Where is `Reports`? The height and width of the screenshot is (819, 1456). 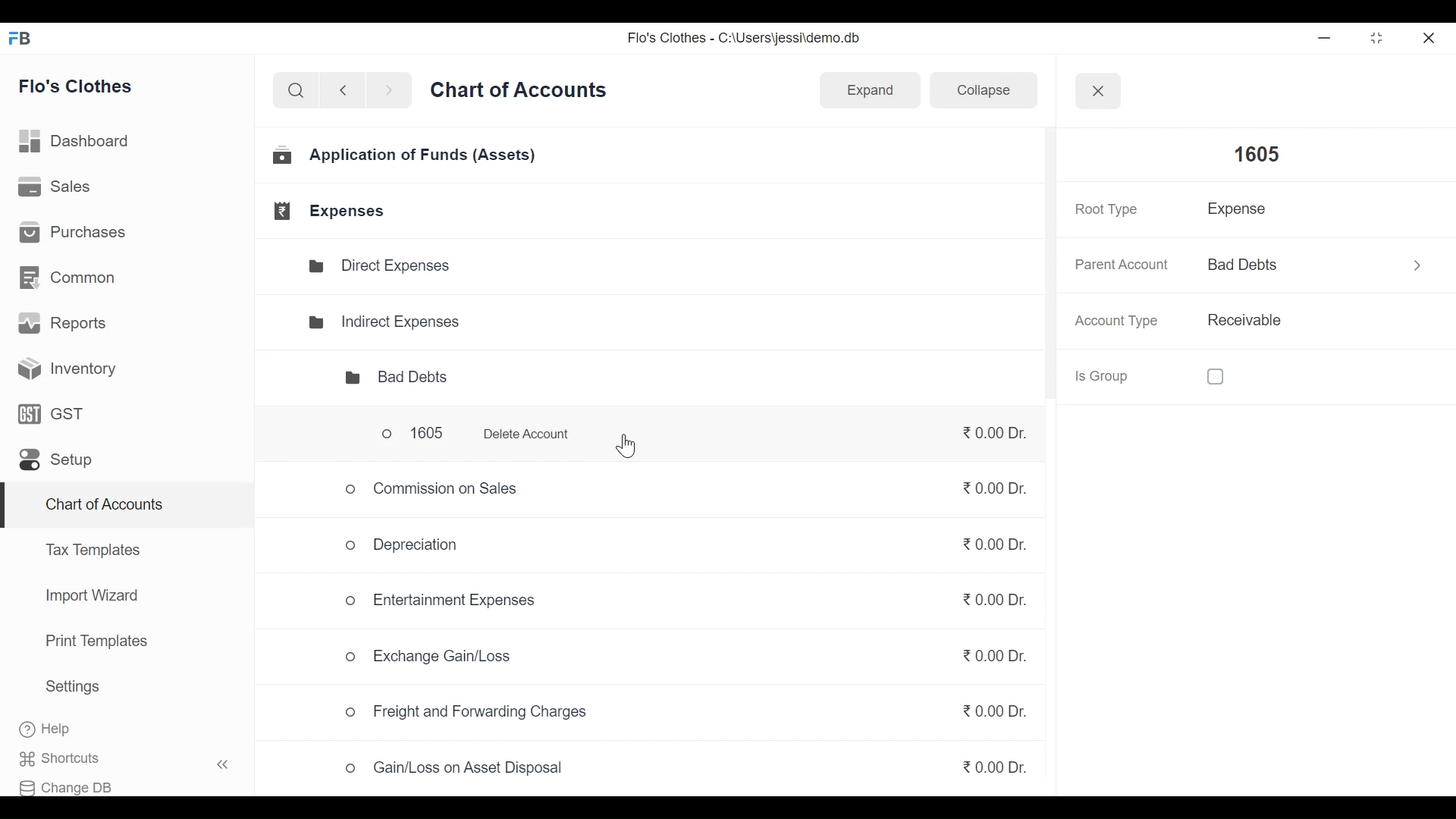
Reports is located at coordinates (65, 326).